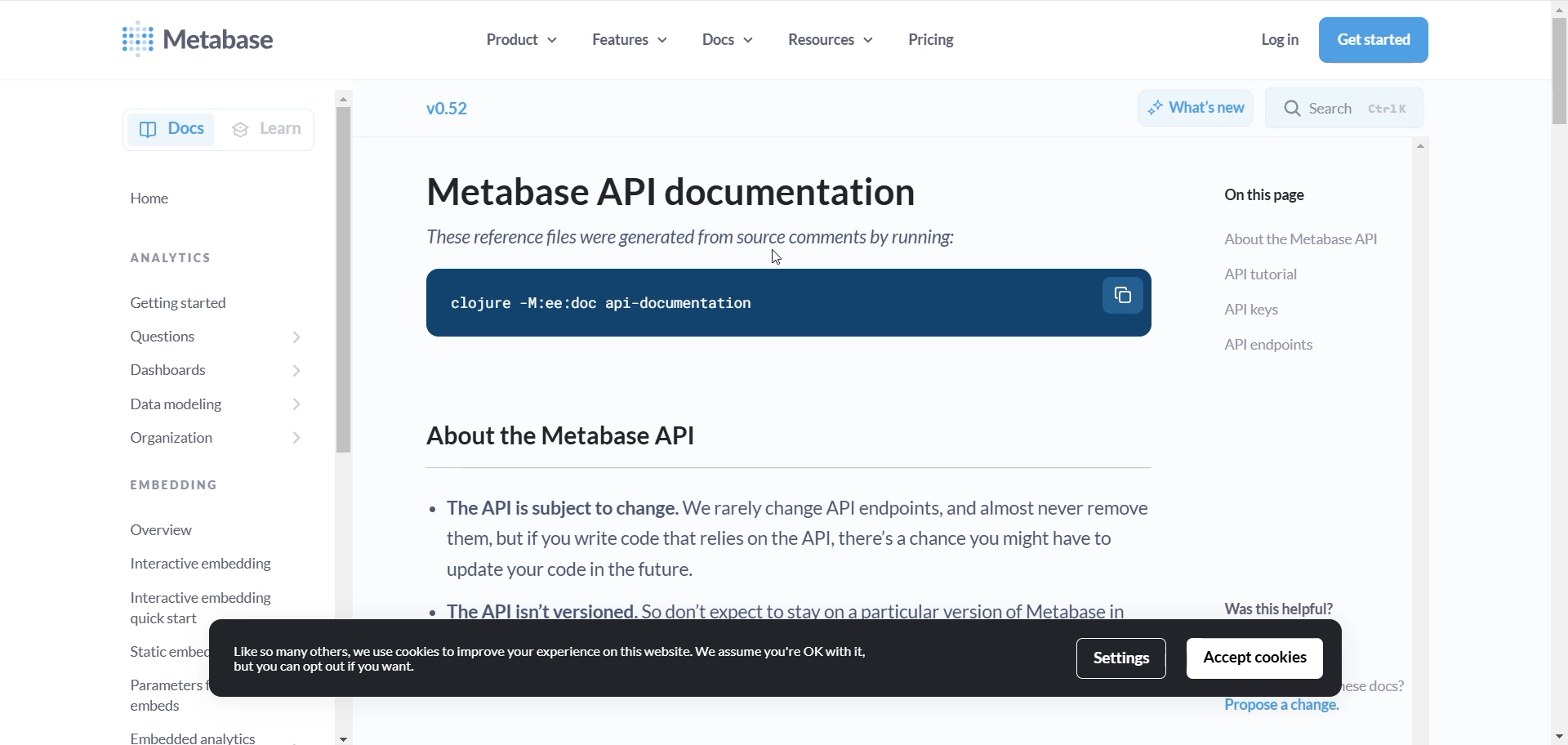 This screenshot has height=745, width=1568. What do you see at coordinates (163, 528) in the screenshot?
I see `overview` at bounding box center [163, 528].